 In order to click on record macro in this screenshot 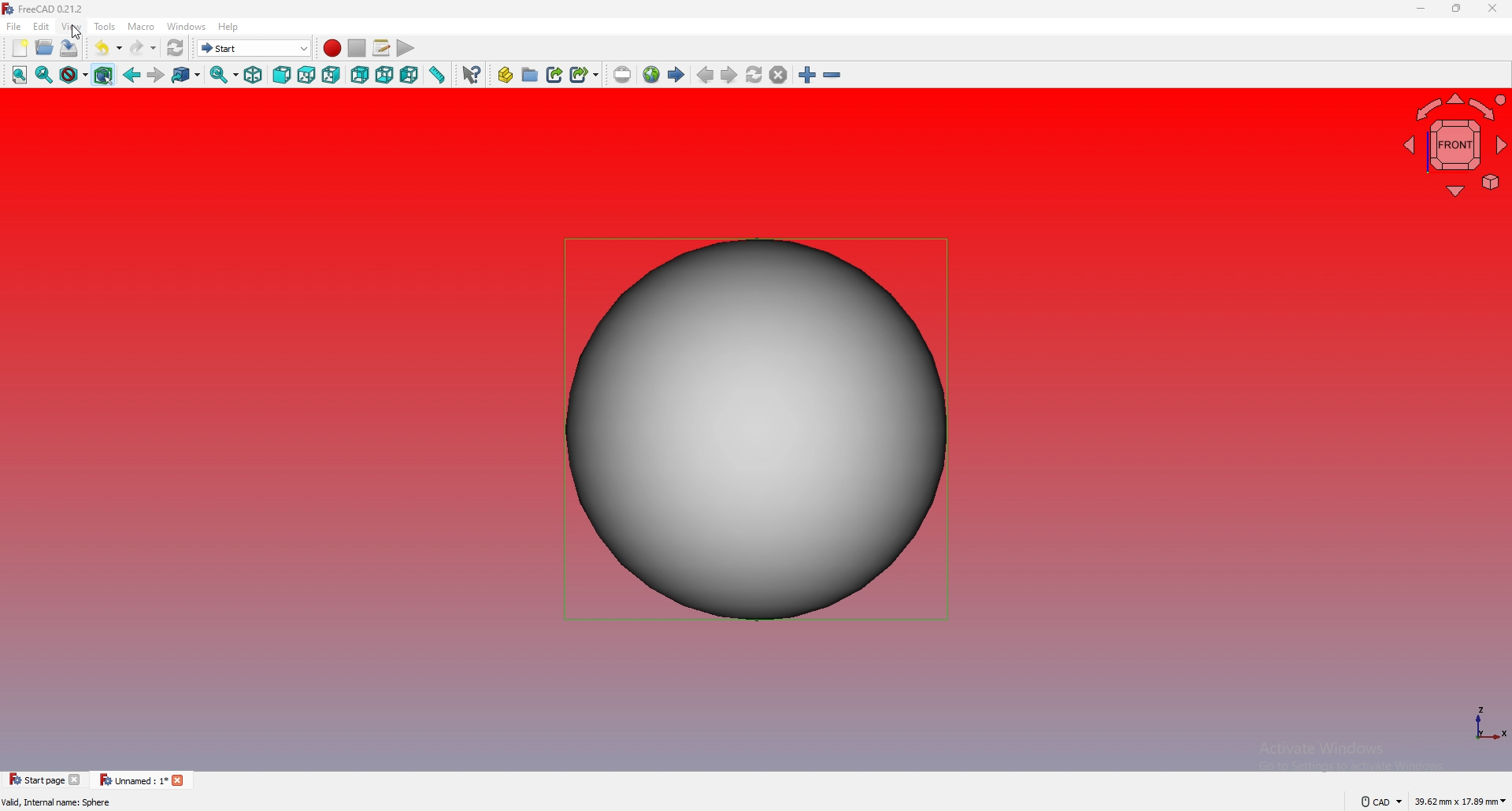, I will do `click(332, 48)`.